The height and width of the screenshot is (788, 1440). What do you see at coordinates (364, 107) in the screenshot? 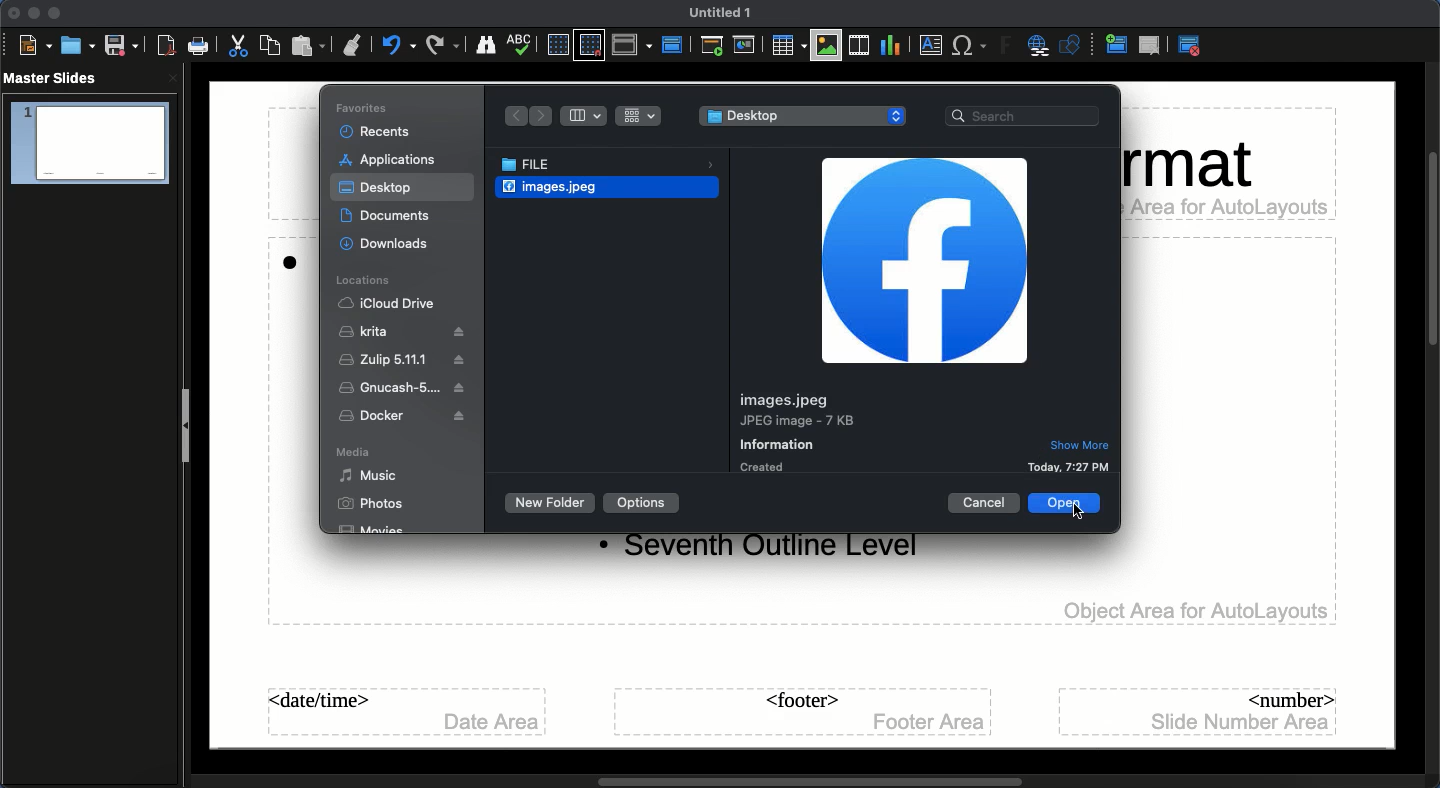
I see `Favorites` at bounding box center [364, 107].